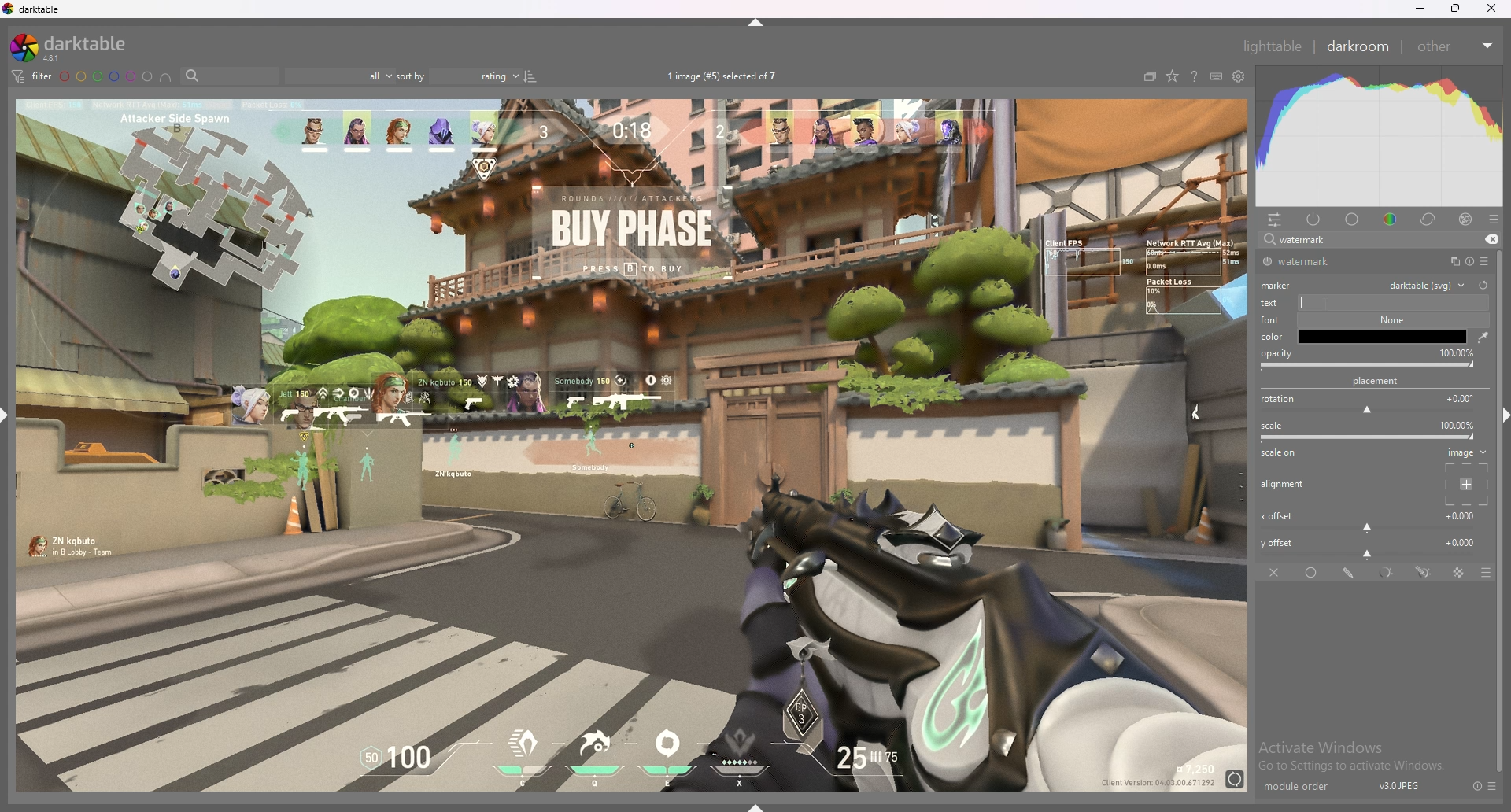  I want to click on raster mask, so click(1460, 573).